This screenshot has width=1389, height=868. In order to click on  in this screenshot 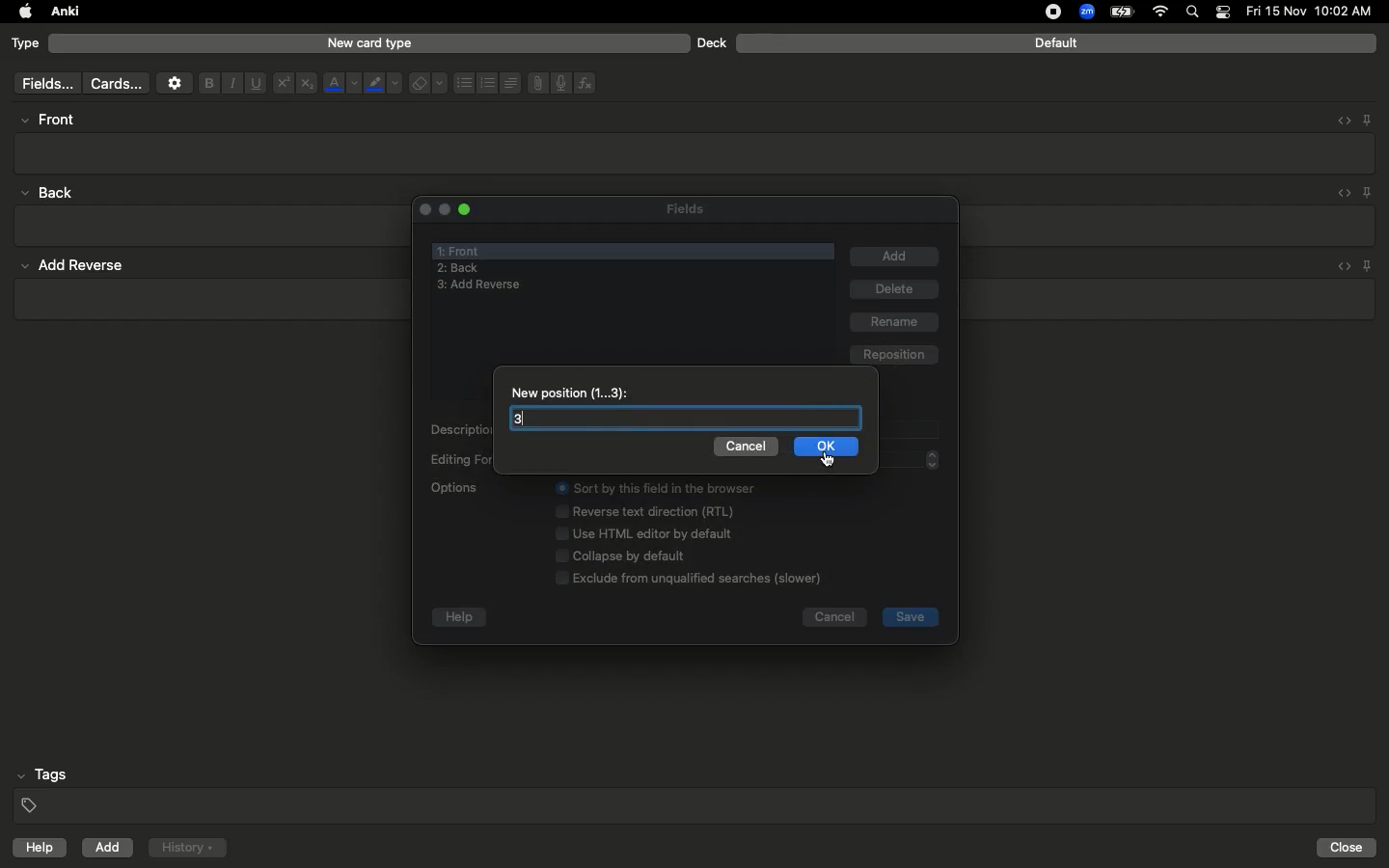, I will do `click(532, 418)`.